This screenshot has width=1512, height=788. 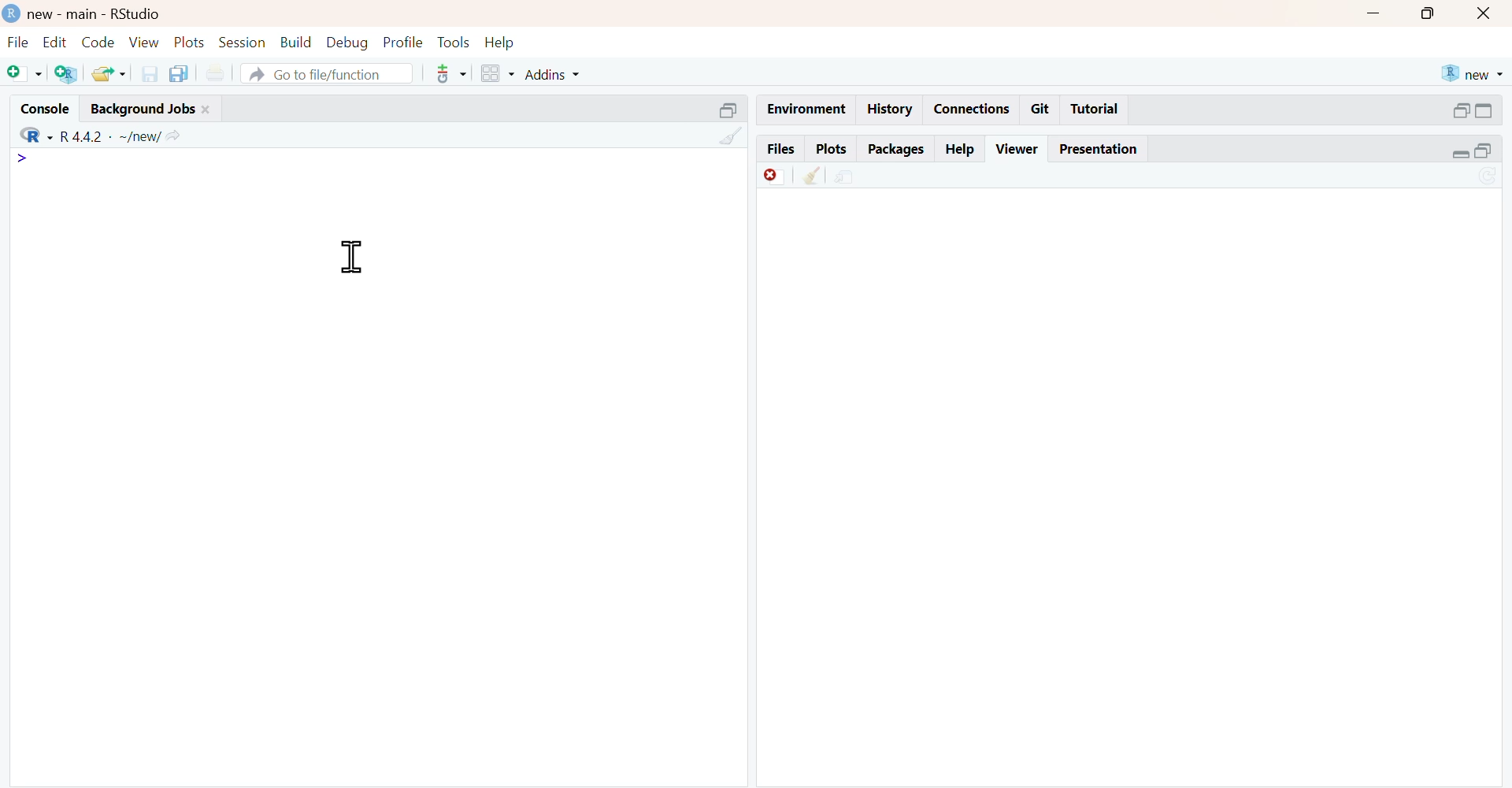 I want to click on plots, so click(x=833, y=149).